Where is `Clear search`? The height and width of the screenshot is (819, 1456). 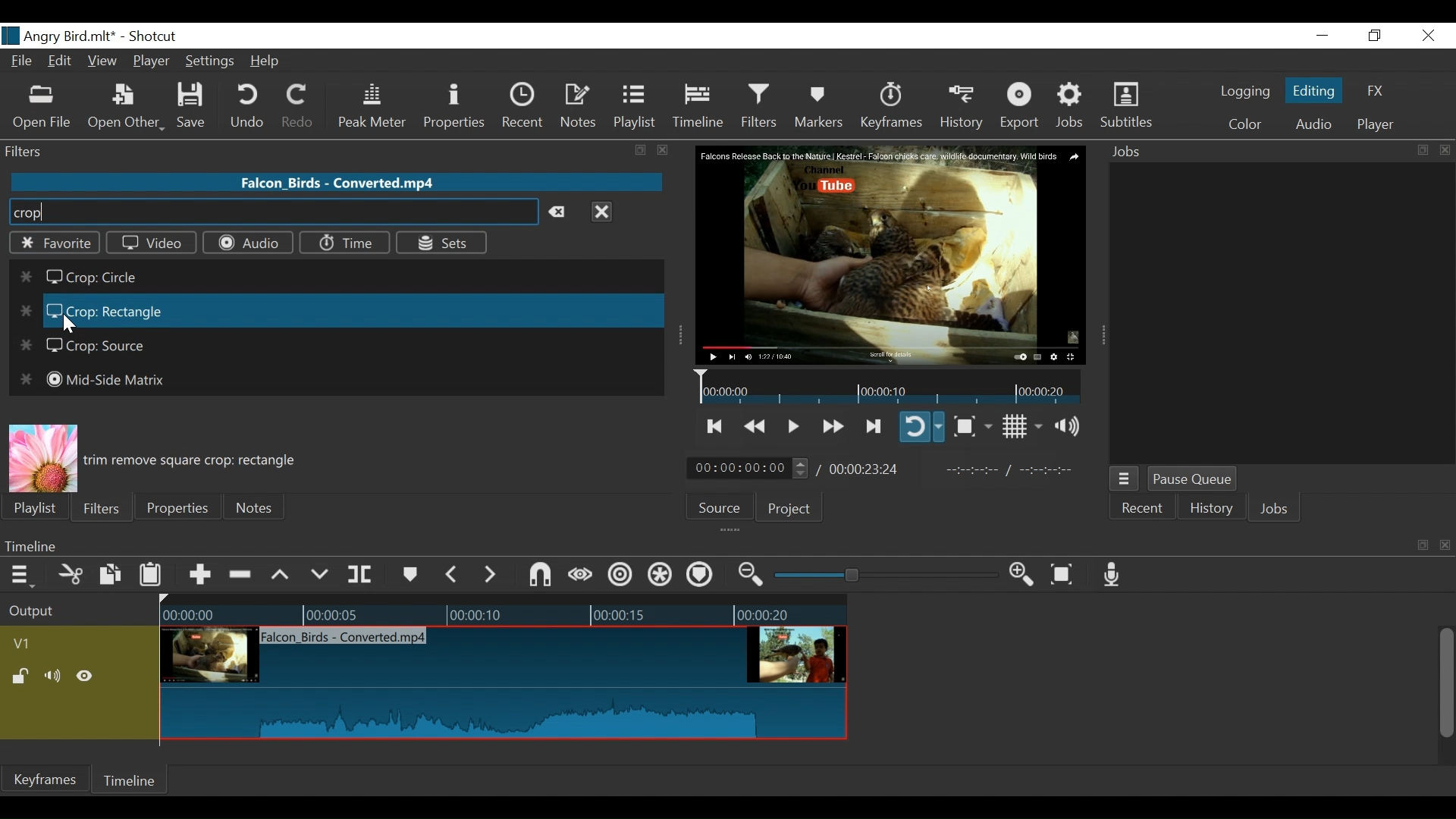 Clear search is located at coordinates (561, 212).